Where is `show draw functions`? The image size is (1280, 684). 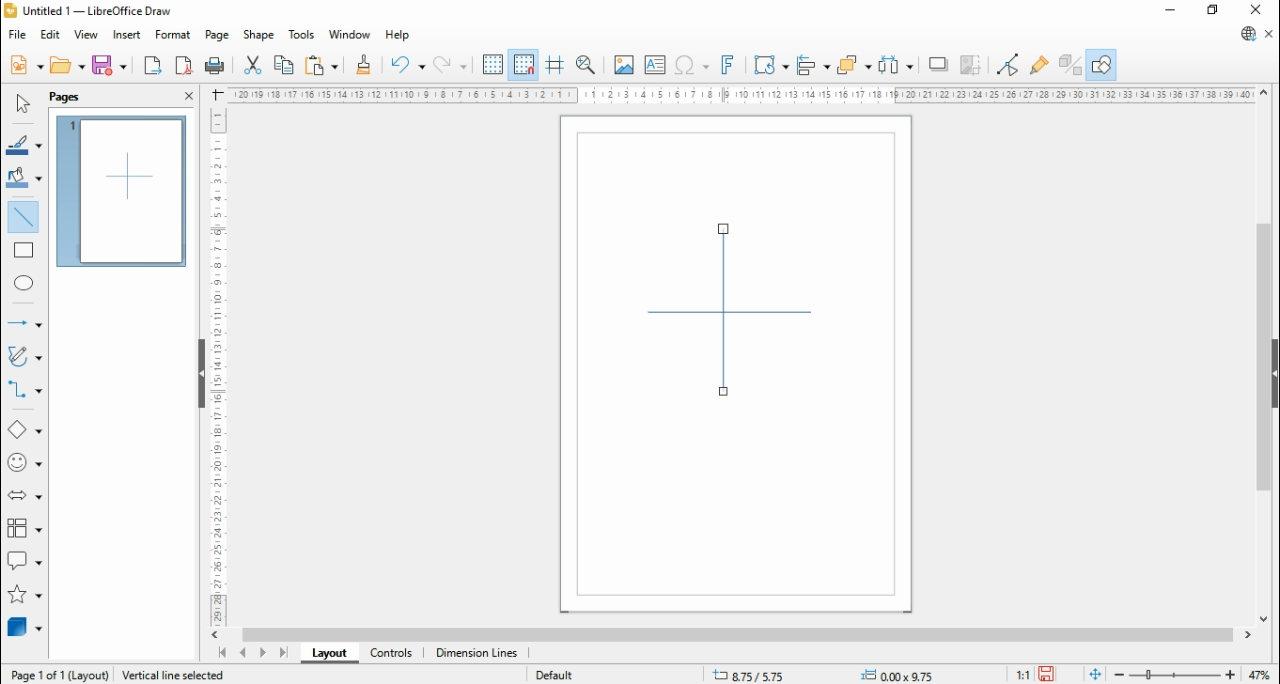 show draw functions is located at coordinates (1103, 64).